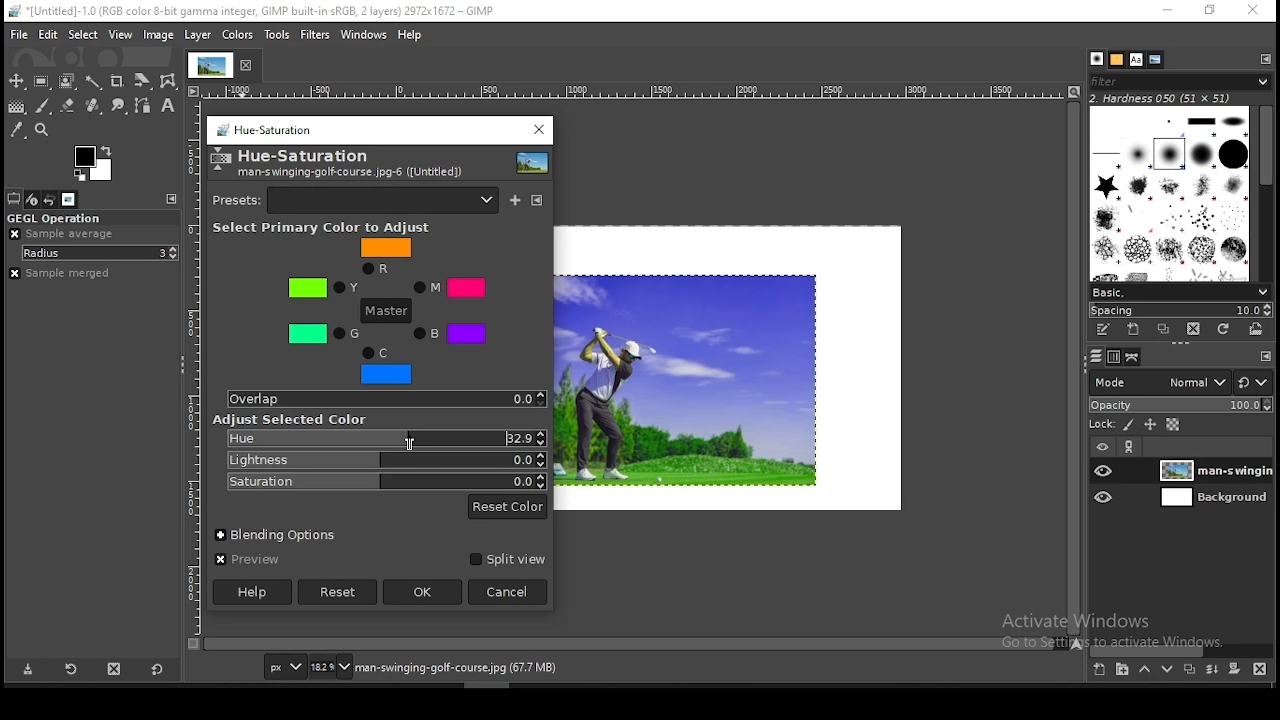 The width and height of the screenshot is (1280, 720). I want to click on eraser tool, so click(68, 106).